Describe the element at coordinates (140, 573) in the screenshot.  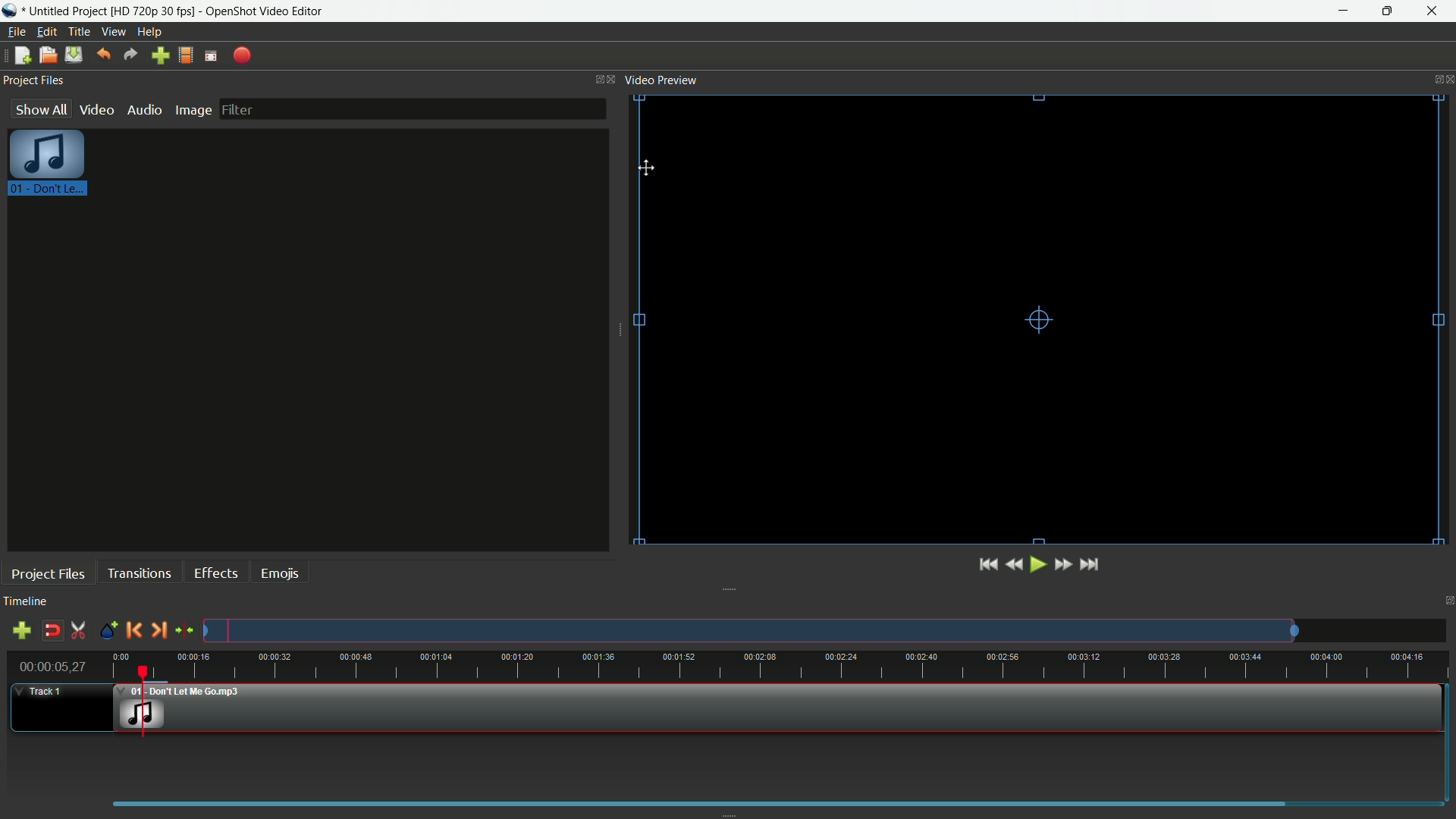
I see `transitions` at that location.